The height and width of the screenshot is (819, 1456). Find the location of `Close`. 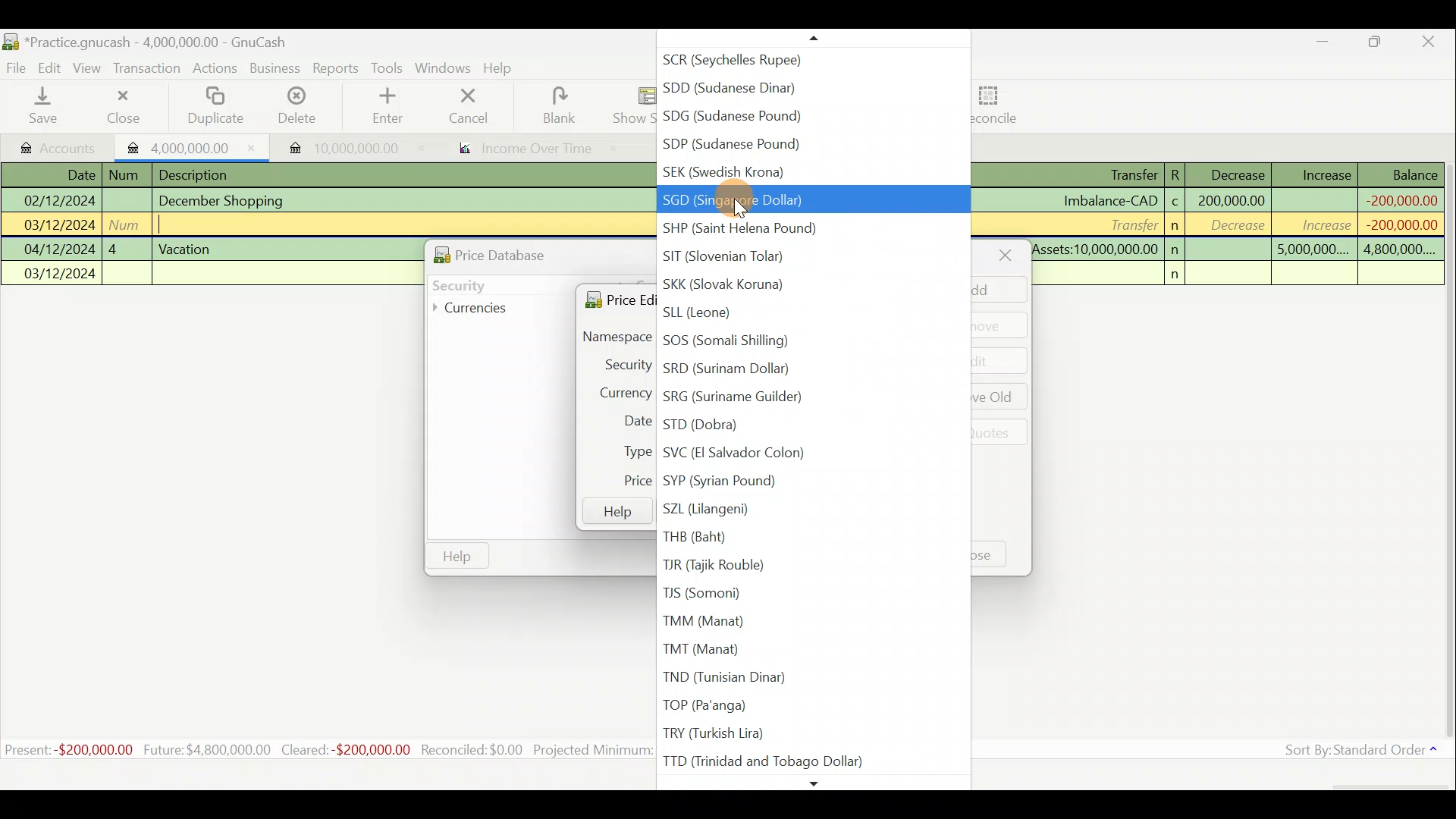

Close is located at coordinates (121, 106).